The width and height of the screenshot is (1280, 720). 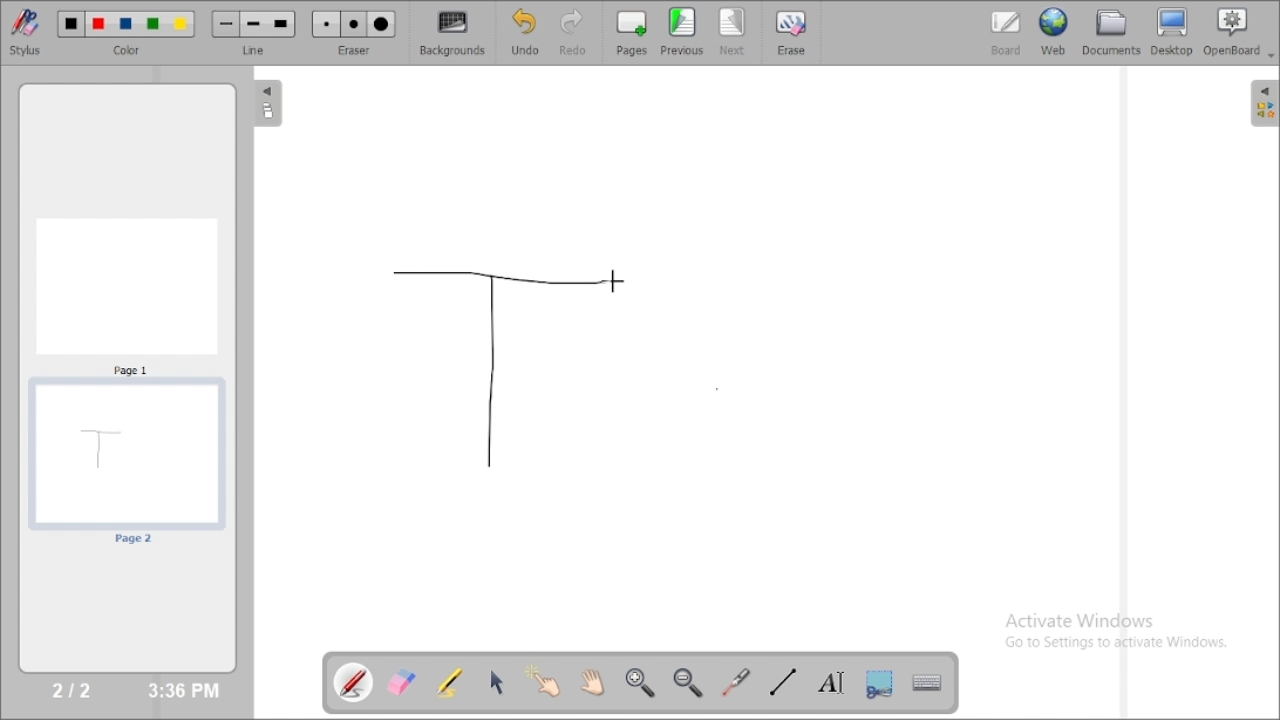 What do you see at coordinates (736, 682) in the screenshot?
I see `virtual laser pointer` at bounding box center [736, 682].